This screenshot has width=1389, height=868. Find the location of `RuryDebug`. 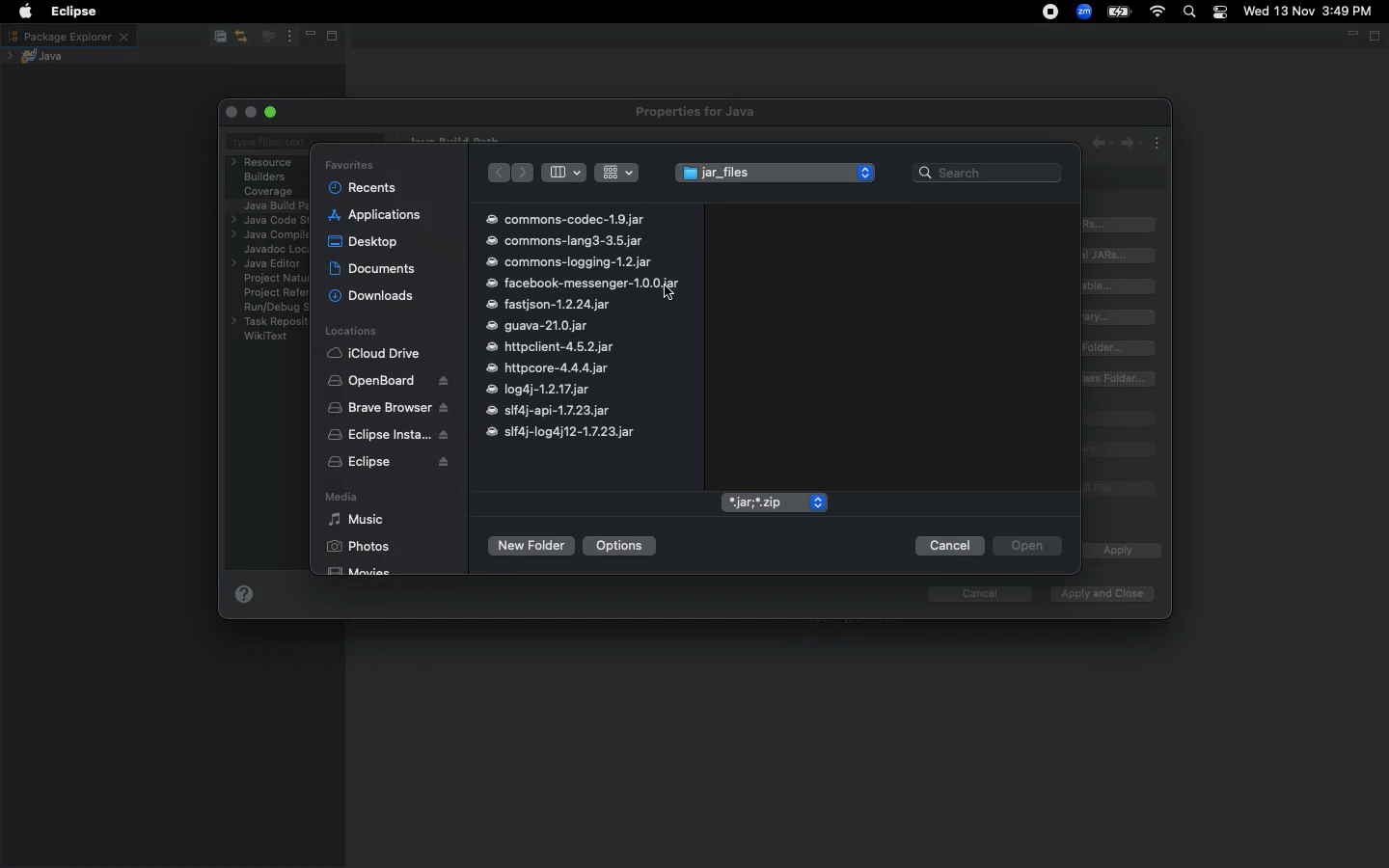

RuryDebug is located at coordinates (276, 310).